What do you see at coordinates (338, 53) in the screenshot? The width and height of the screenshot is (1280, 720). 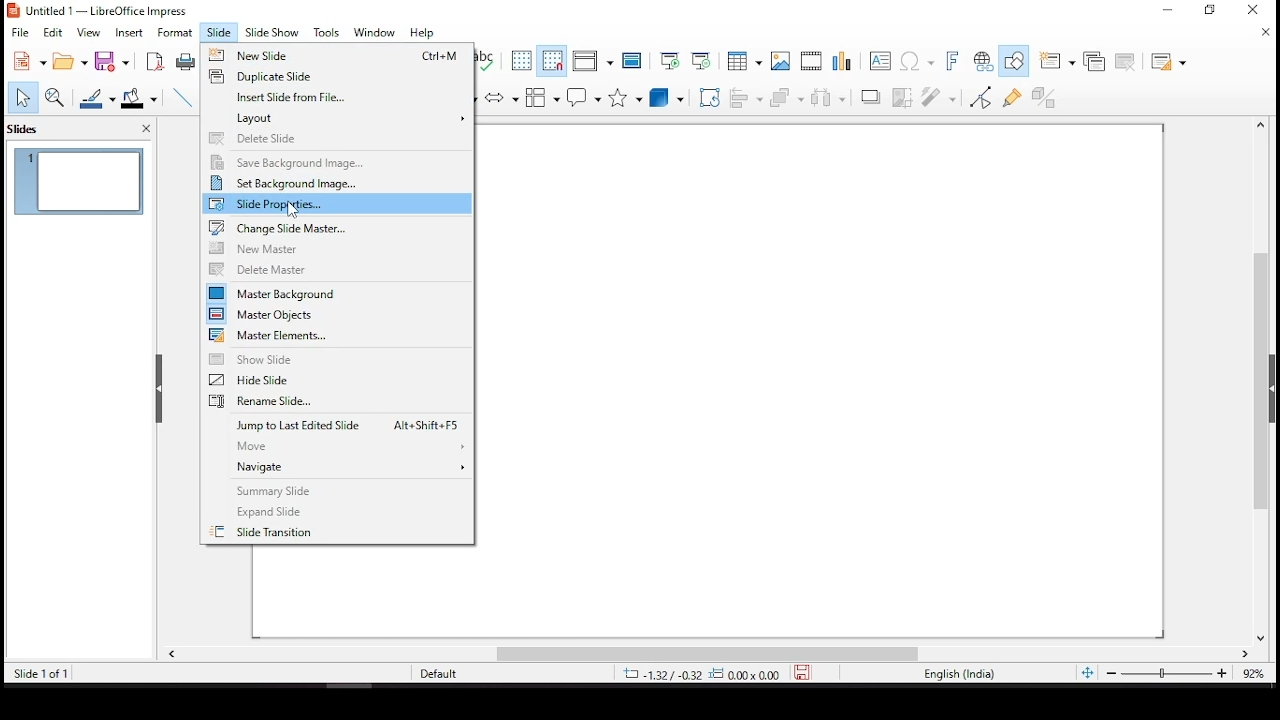 I see `new slide` at bounding box center [338, 53].